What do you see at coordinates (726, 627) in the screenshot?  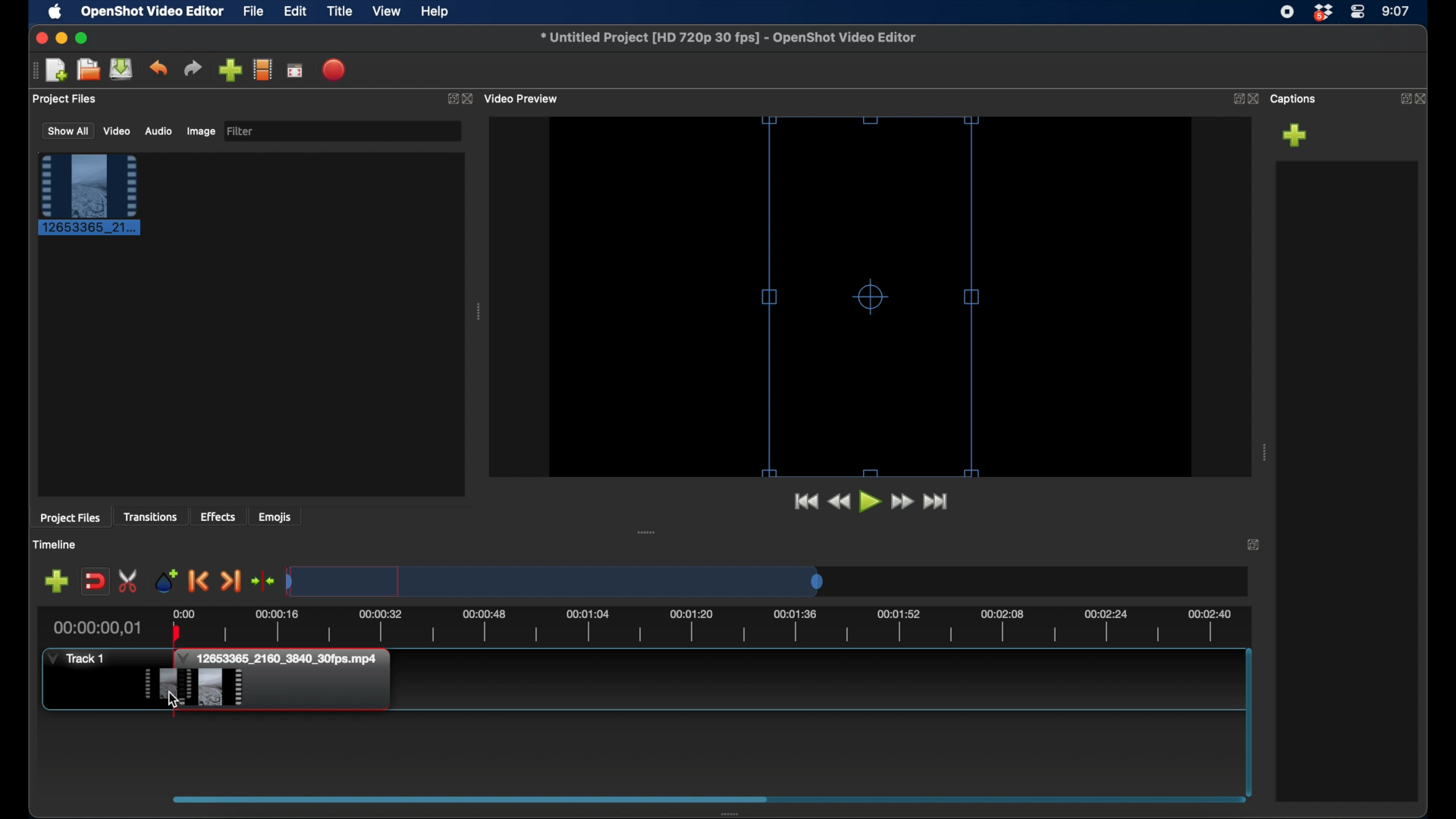 I see `timeline` at bounding box center [726, 627].